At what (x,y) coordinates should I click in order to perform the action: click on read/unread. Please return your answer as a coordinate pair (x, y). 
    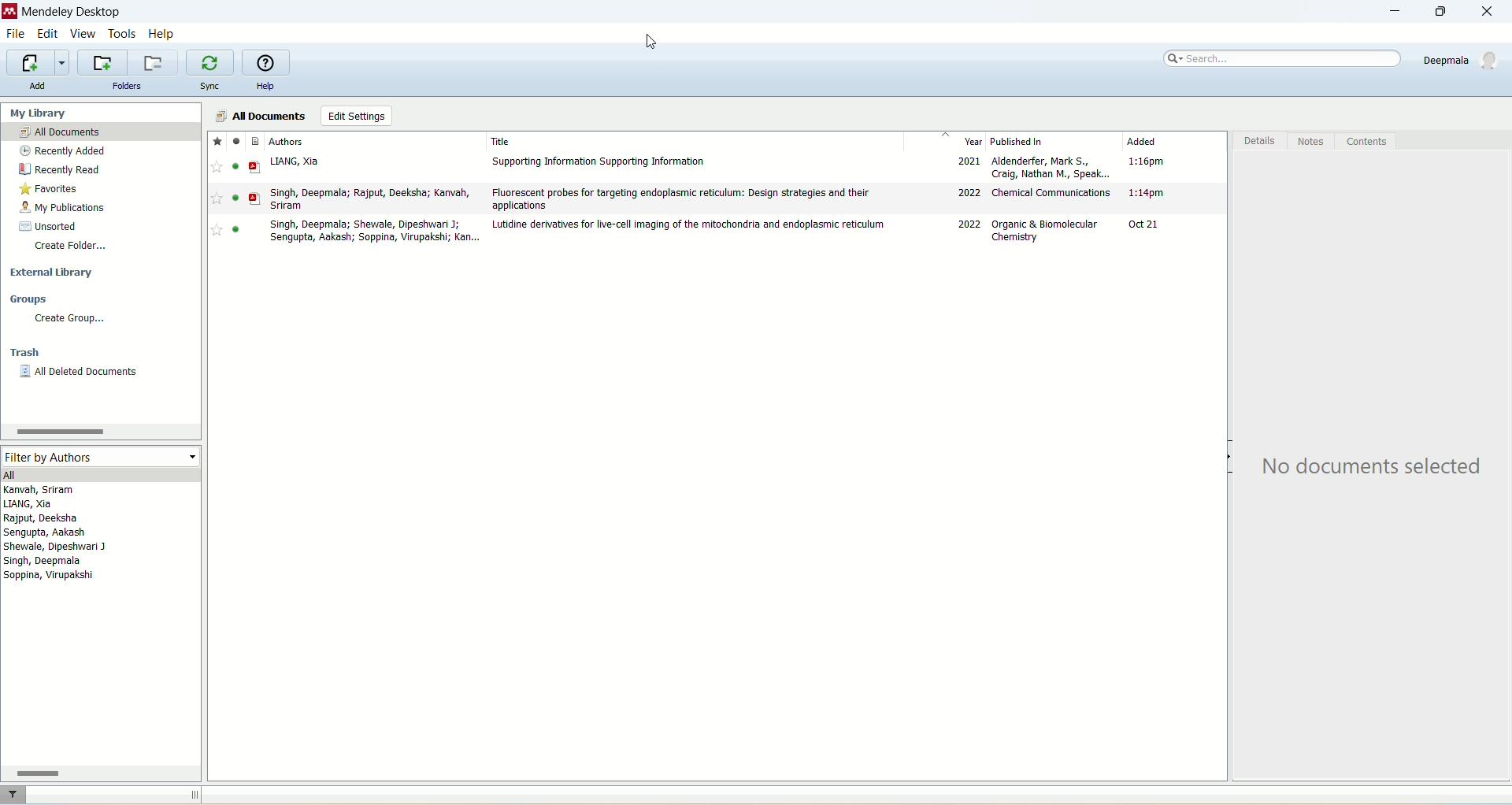
    Looking at the image, I should click on (232, 228).